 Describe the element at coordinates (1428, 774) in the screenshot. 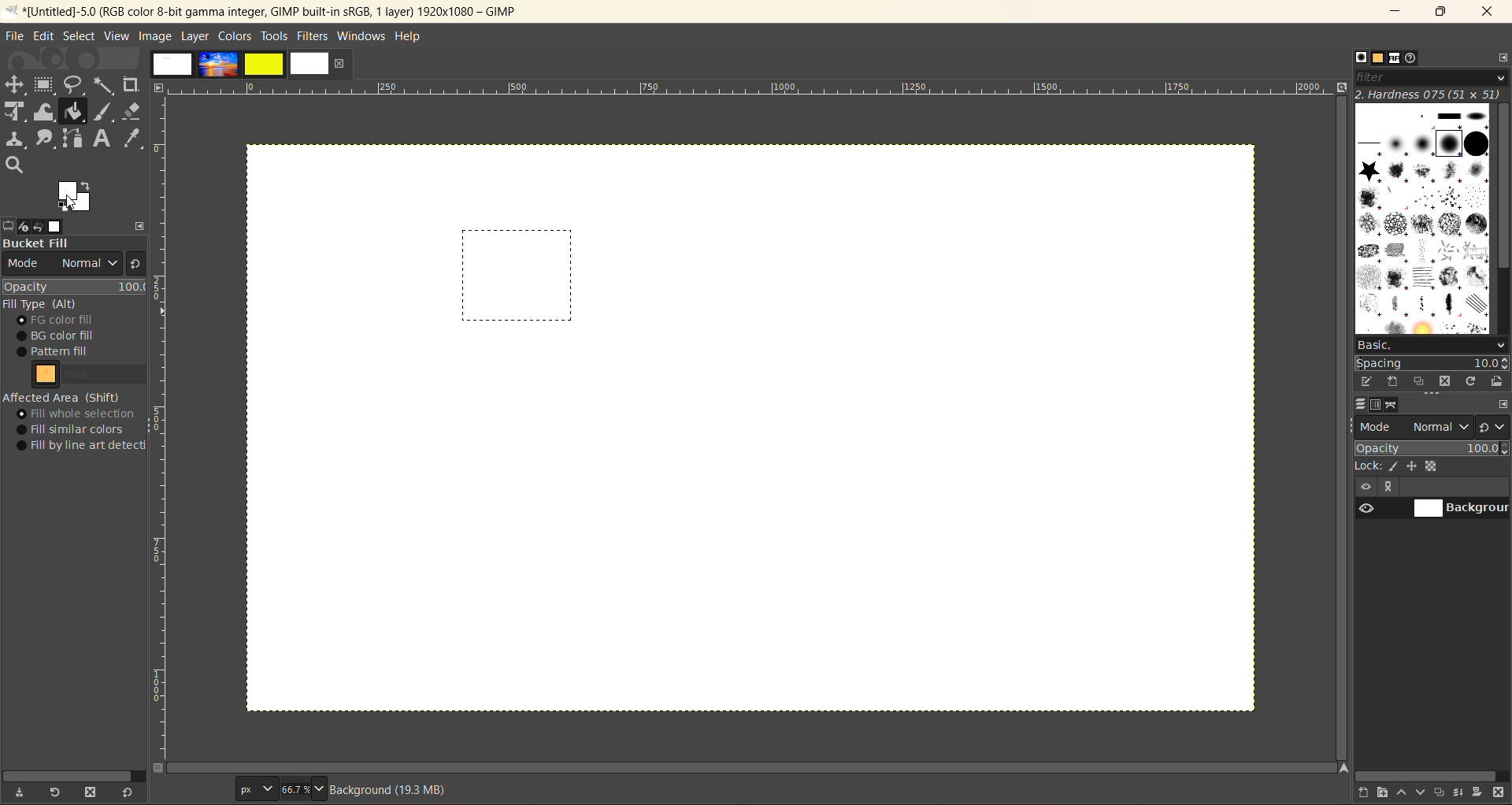

I see `horizontal scroll bar` at that location.